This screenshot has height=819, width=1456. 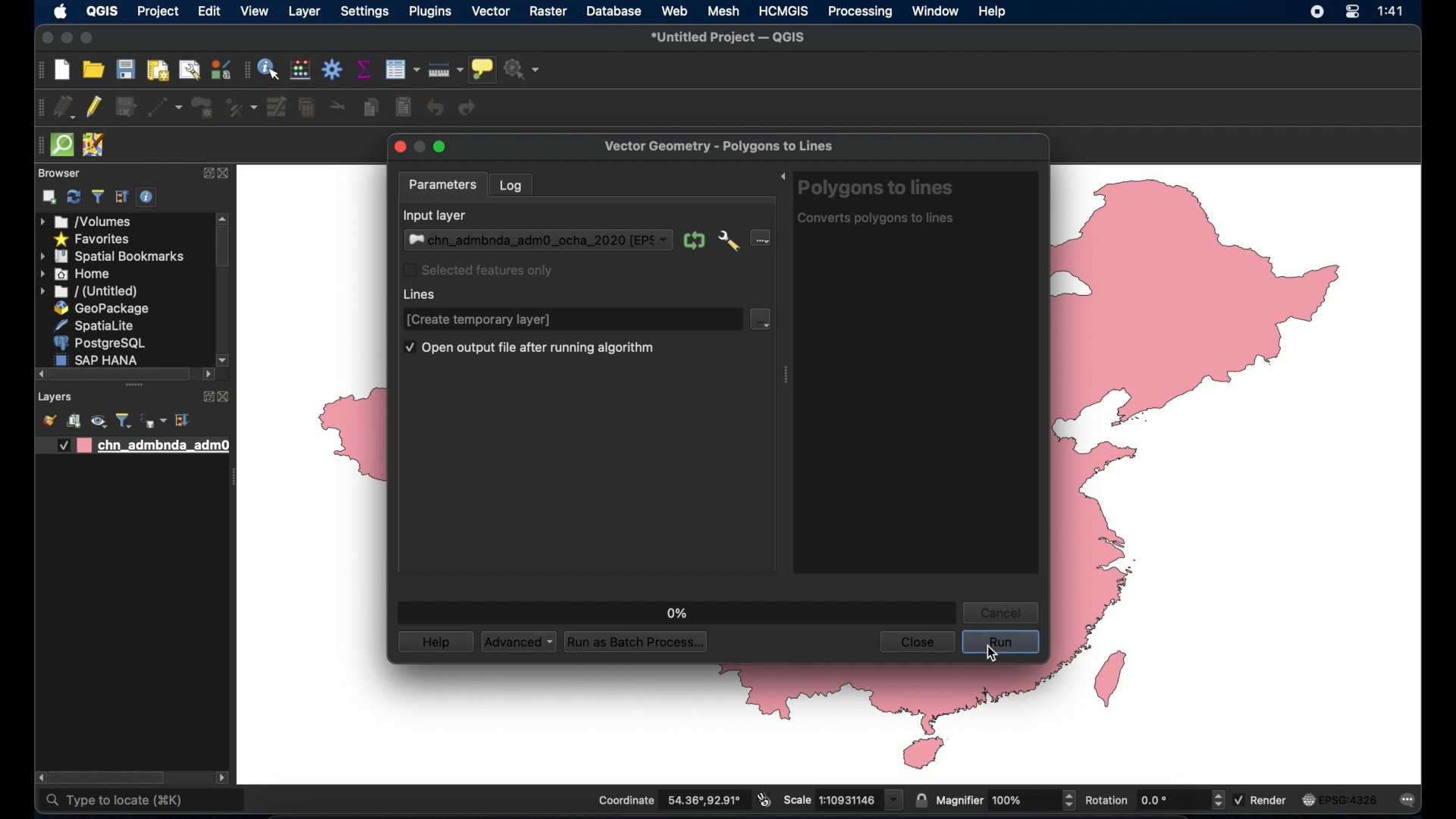 I want to click on layer, so click(x=303, y=12).